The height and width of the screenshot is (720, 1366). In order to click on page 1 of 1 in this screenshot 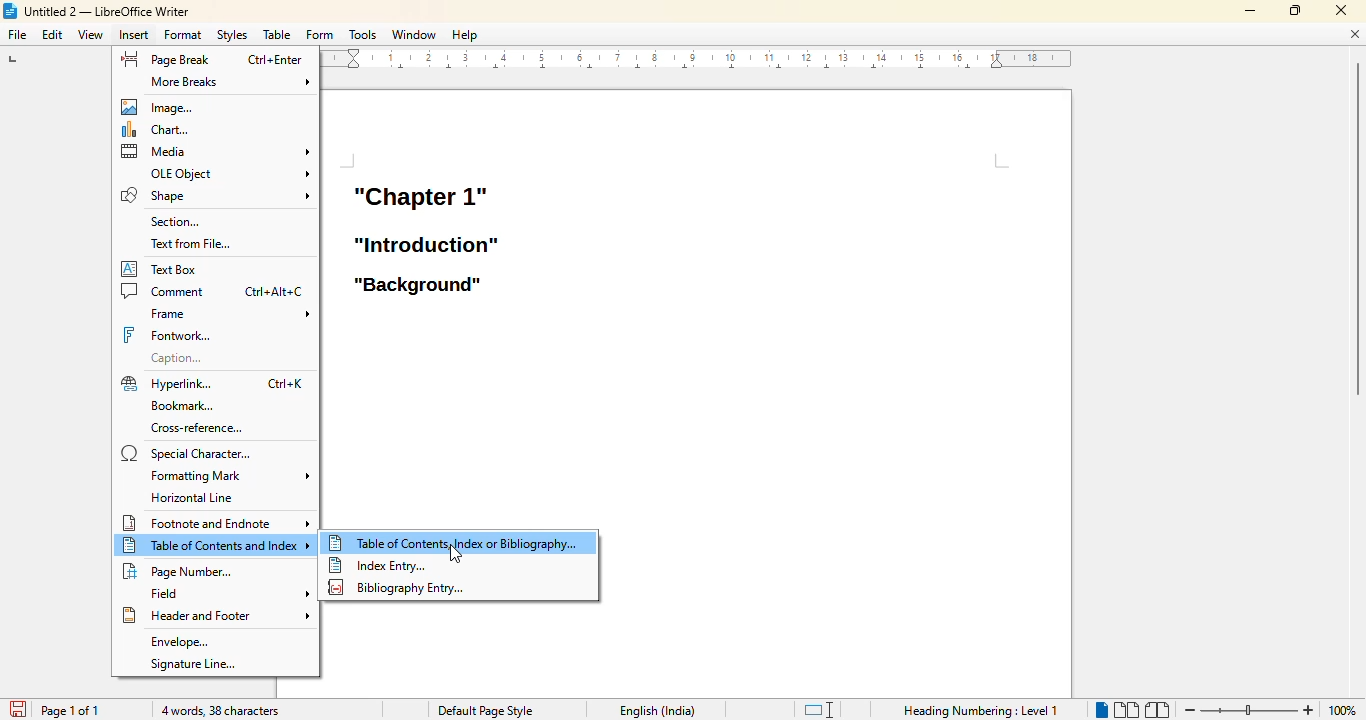, I will do `click(71, 710)`.